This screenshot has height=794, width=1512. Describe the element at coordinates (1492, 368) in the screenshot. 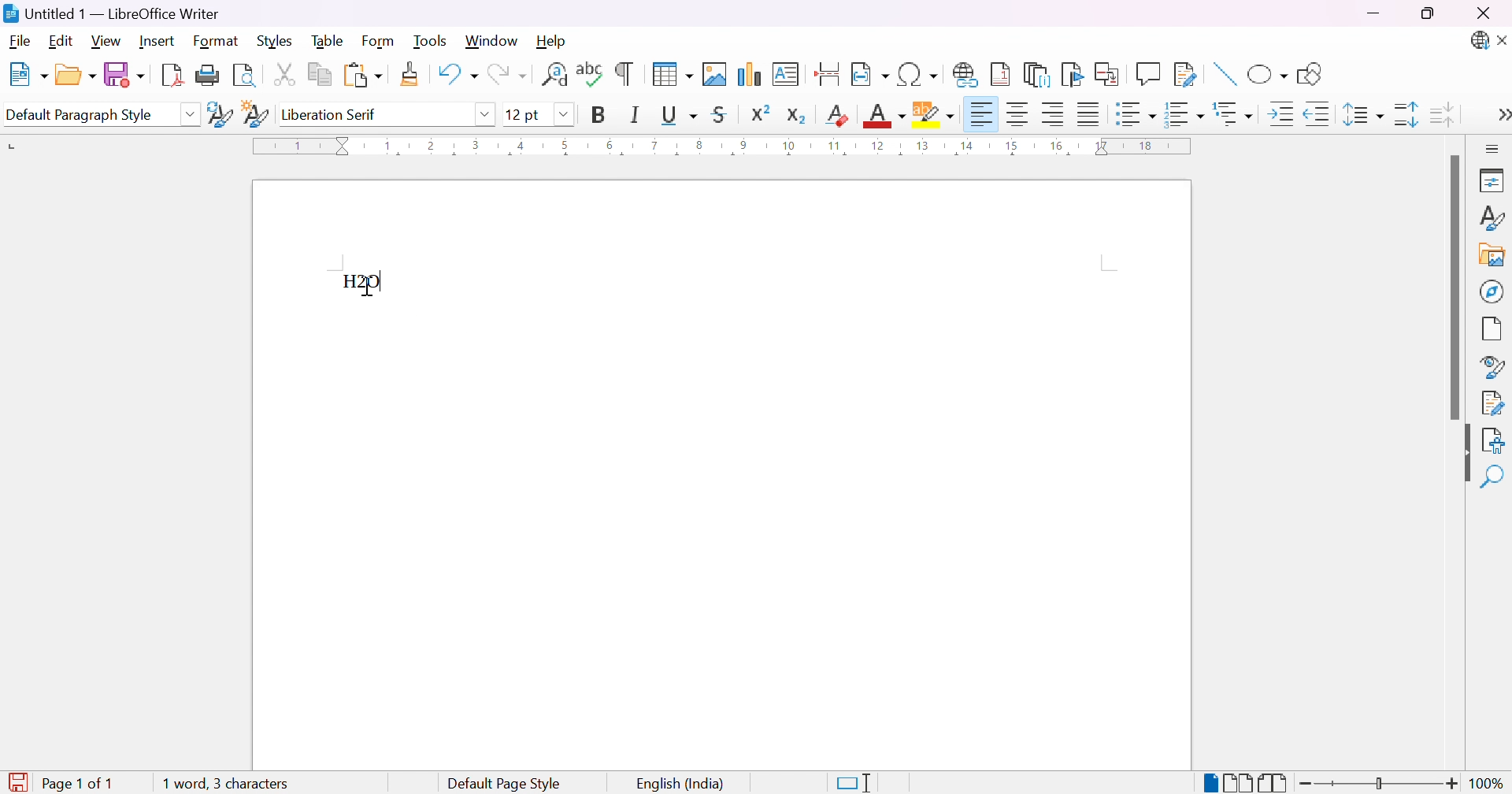

I see `Style inspector` at that location.